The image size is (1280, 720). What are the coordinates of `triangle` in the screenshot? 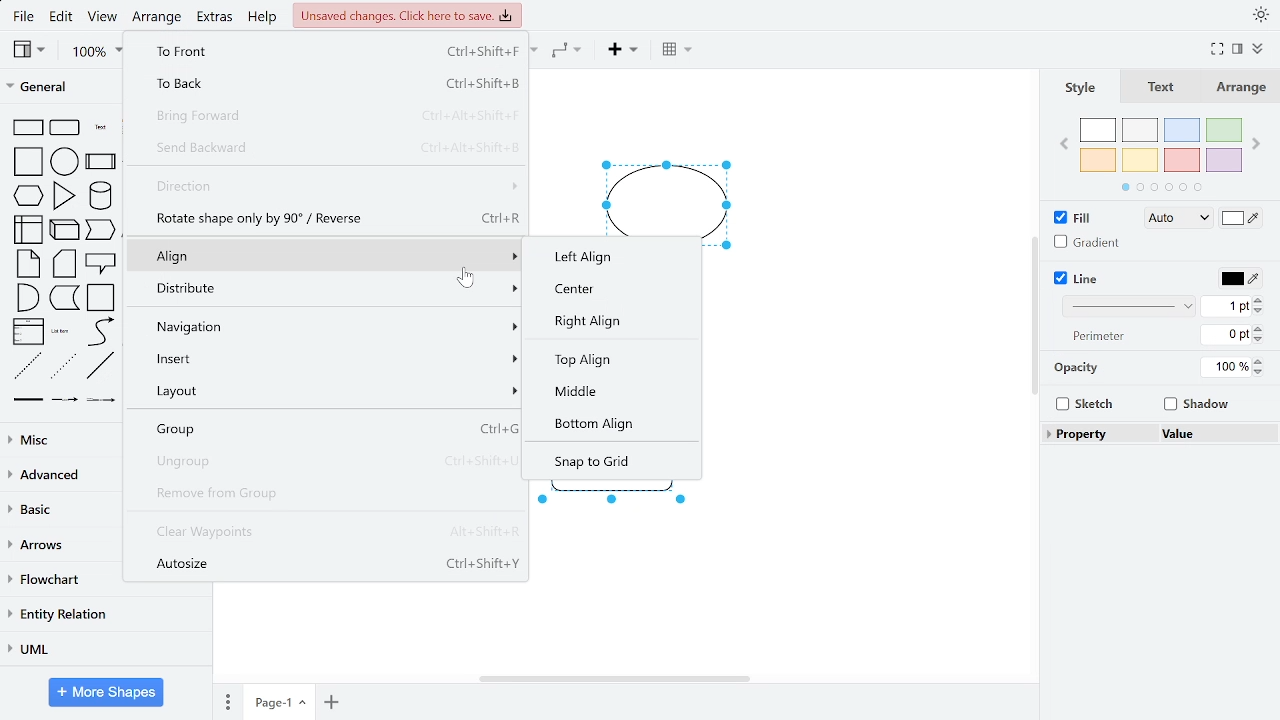 It's located at (64, 196).